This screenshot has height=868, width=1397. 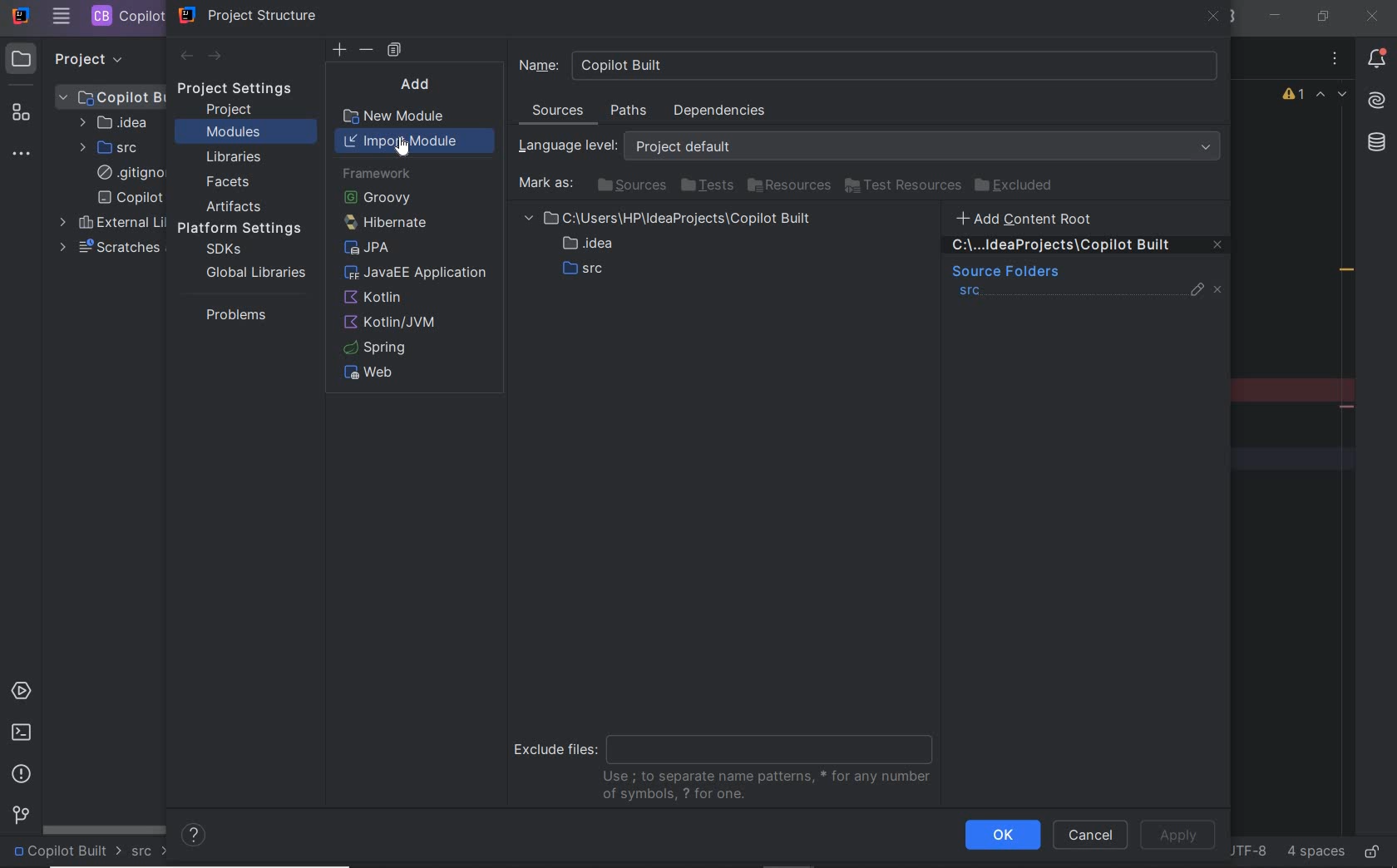 What do you see at coordinates (216, 57) in the screenshot?
I see `next` at bounding box center [216, 57].